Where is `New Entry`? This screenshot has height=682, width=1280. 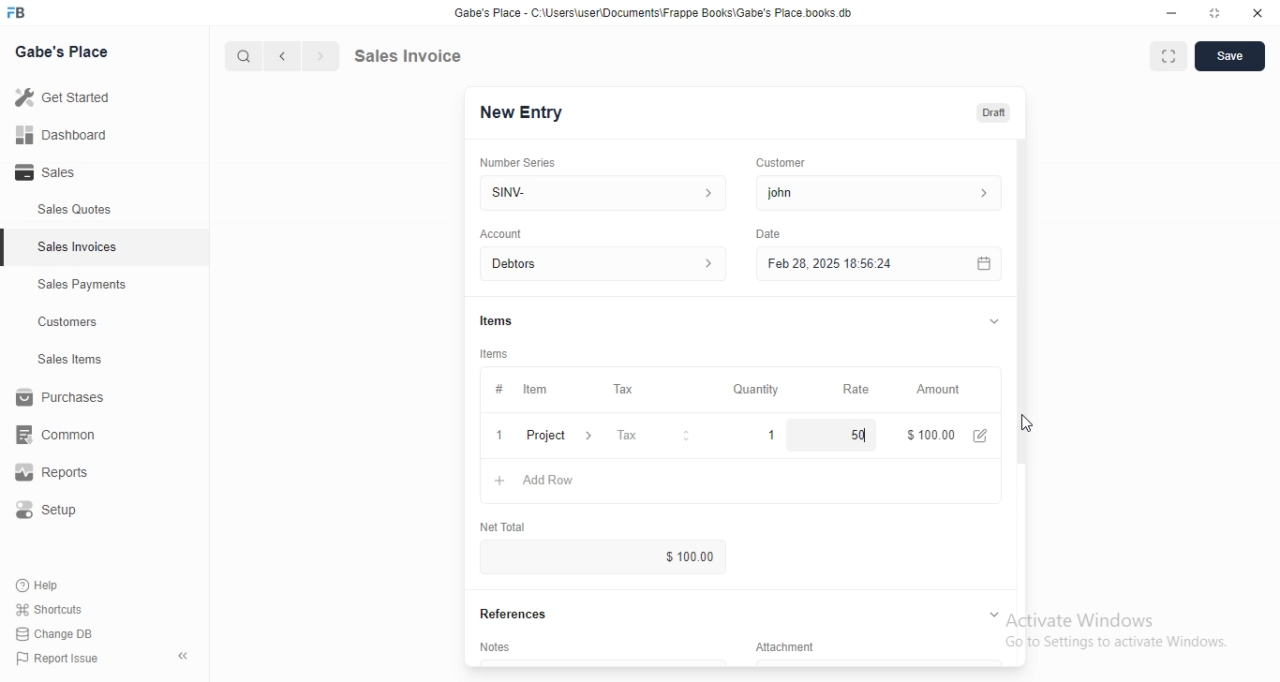
New Entry is located at coordinates (528, 112).